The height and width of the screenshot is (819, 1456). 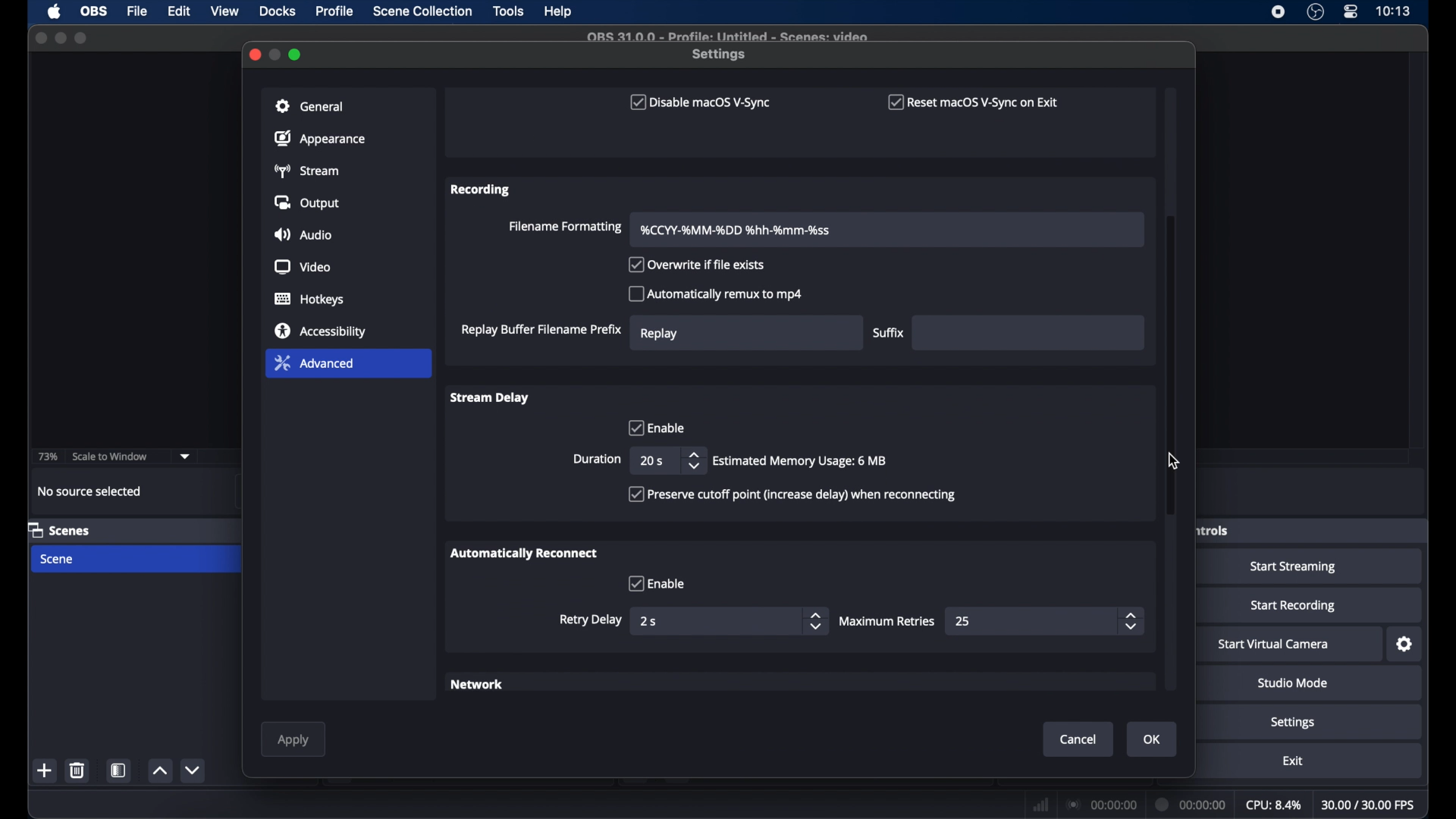 I want to click on cpu, so click(x=1274, y=805).